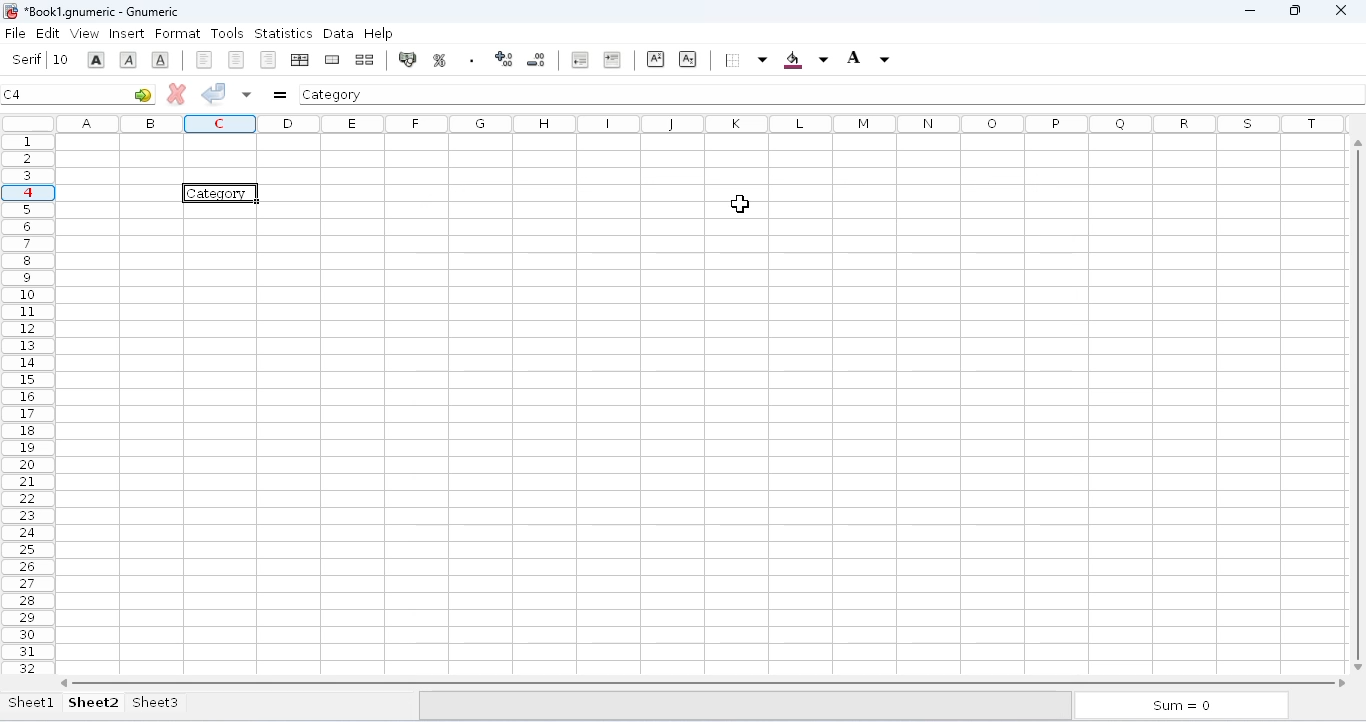 The image size is (1366, 722). Describe the element at coordinates (300, 58) in the screenshot. I see `align right` at that location.